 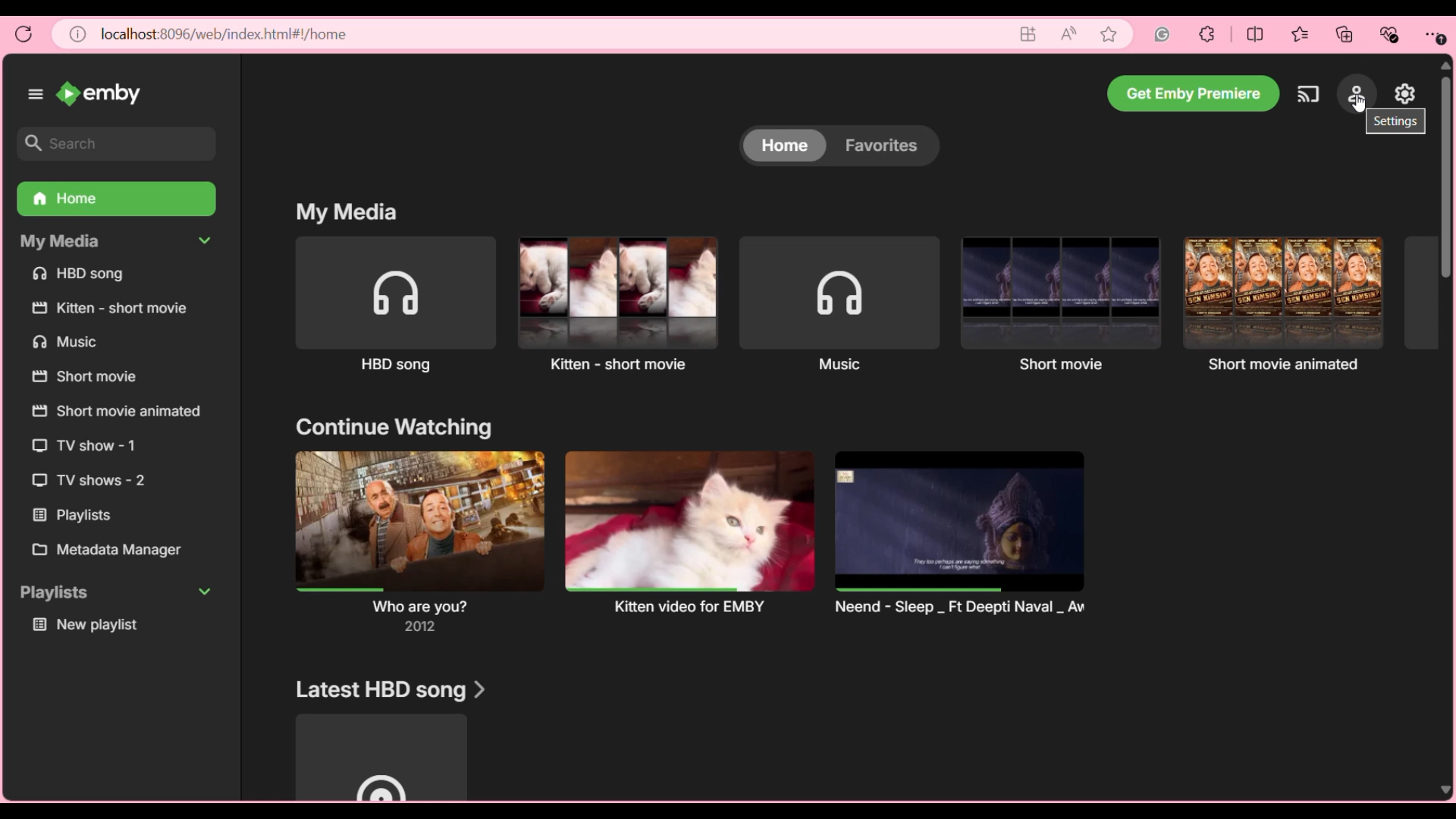 I want to click on localhost8096/web/index.html/home, so click(x=223, y=34).